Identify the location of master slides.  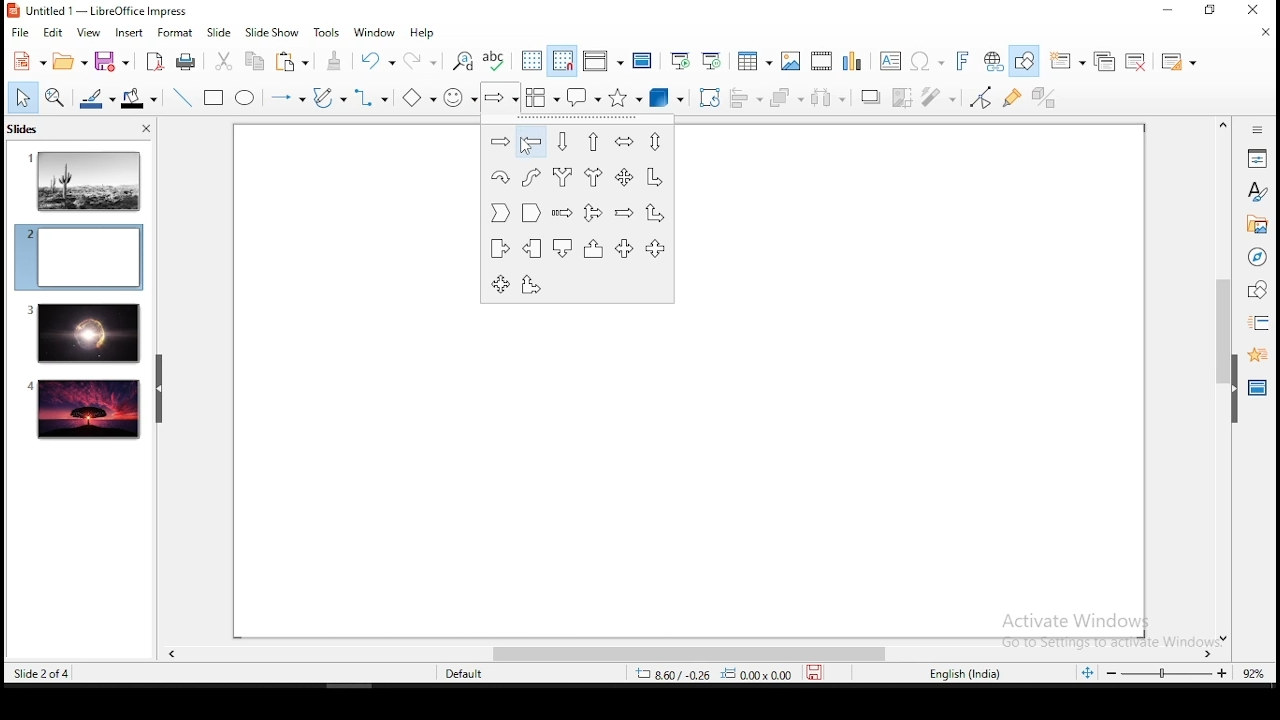
(1259, 386).